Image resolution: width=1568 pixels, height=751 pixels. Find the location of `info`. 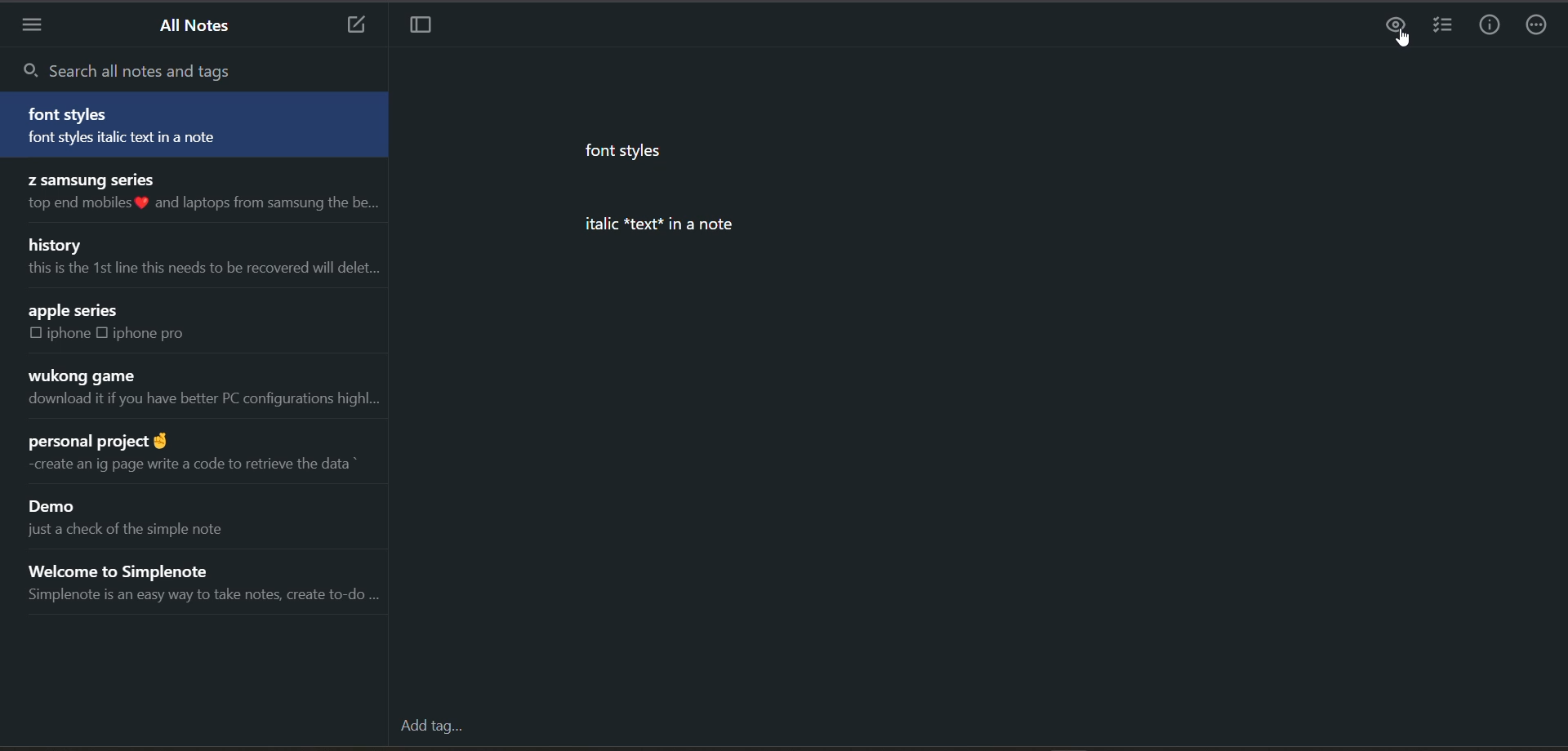

info is located at coordinates (1493, 23).